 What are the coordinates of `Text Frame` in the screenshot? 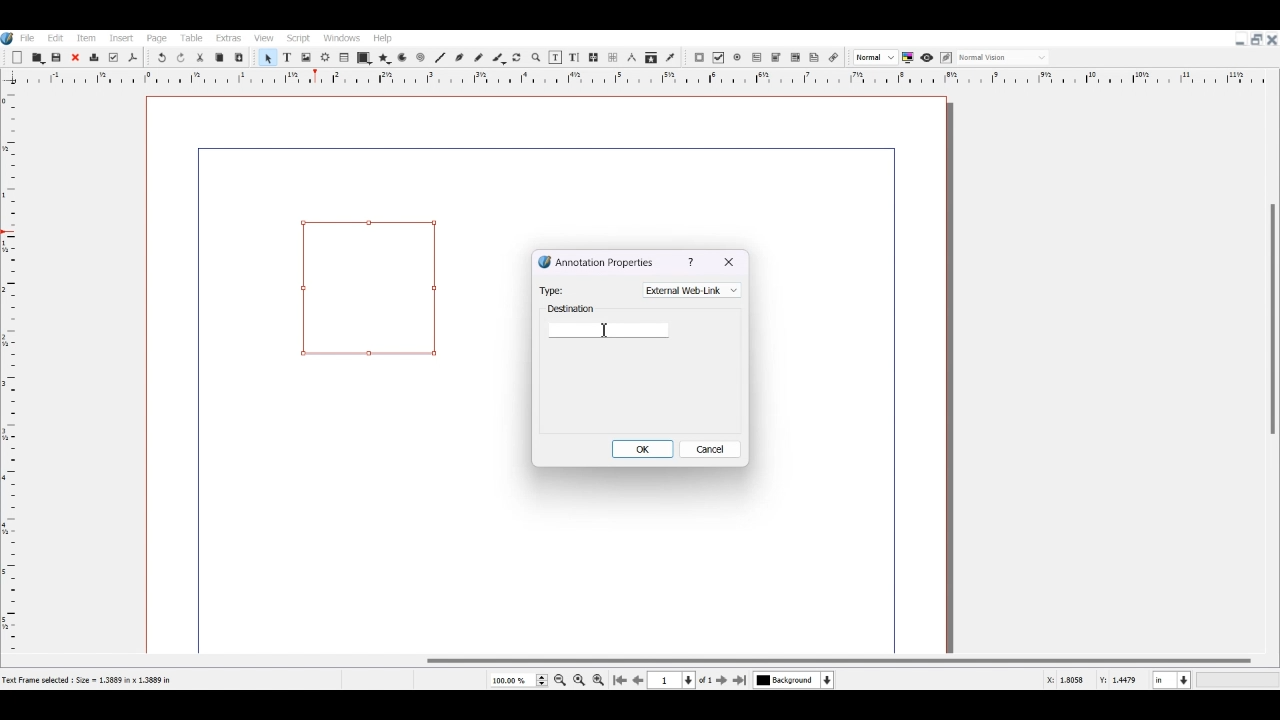 It's located at (287, 57).